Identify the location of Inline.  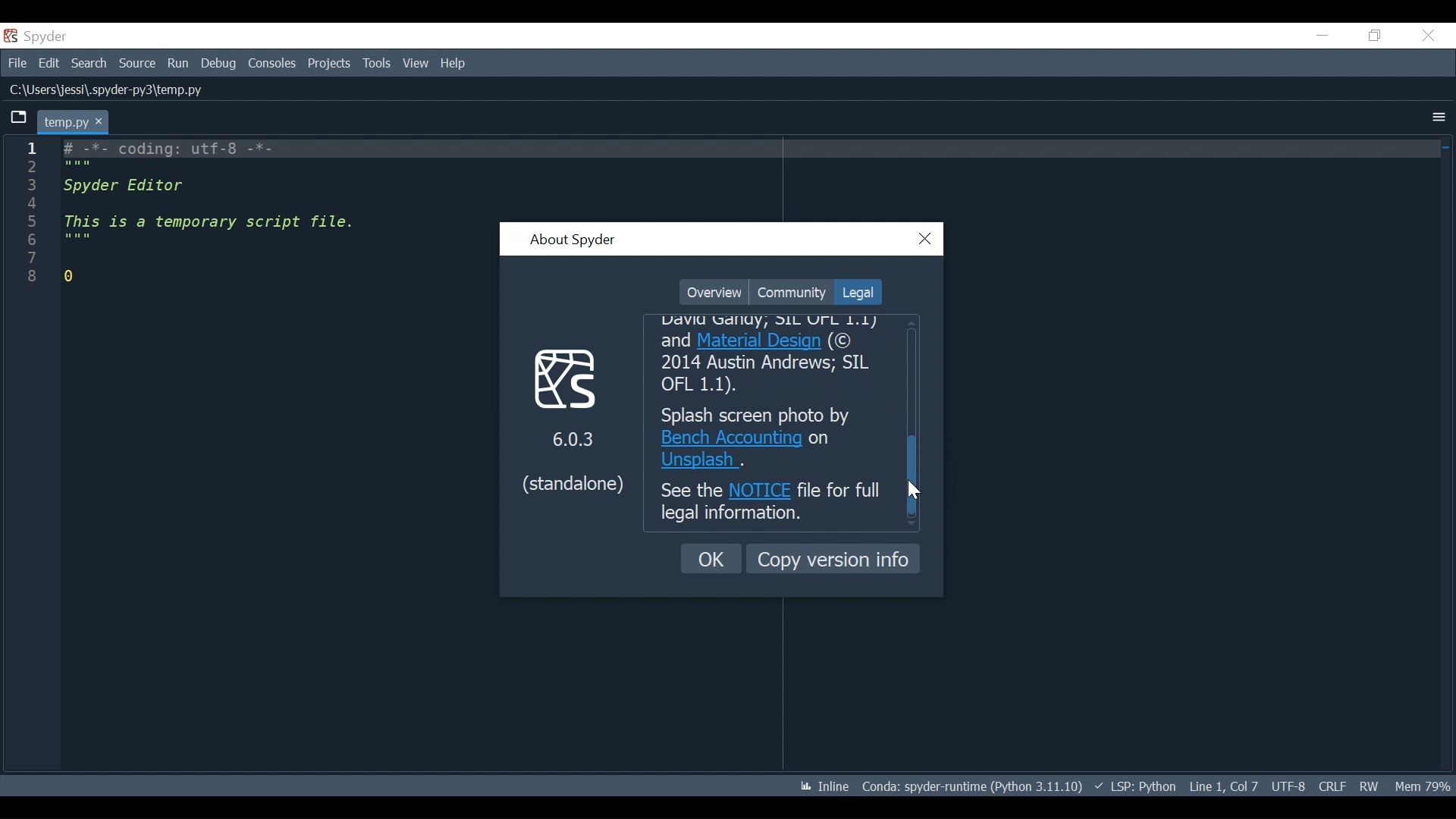
(818, 787).